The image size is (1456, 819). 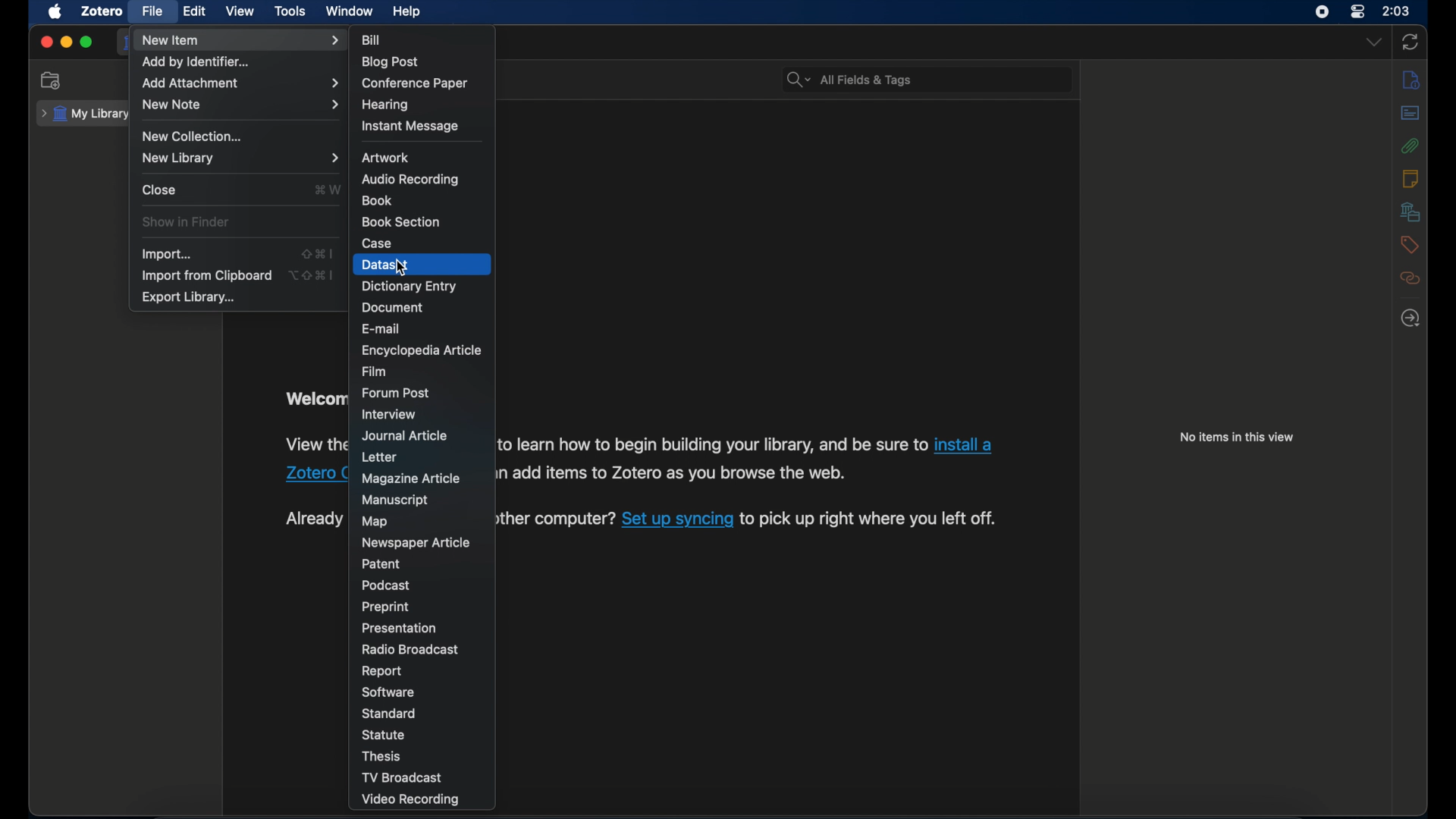 What do you see at coordinates (379, 756) in the screenshot?
I see `thesis` at bounding box center [379, 756].